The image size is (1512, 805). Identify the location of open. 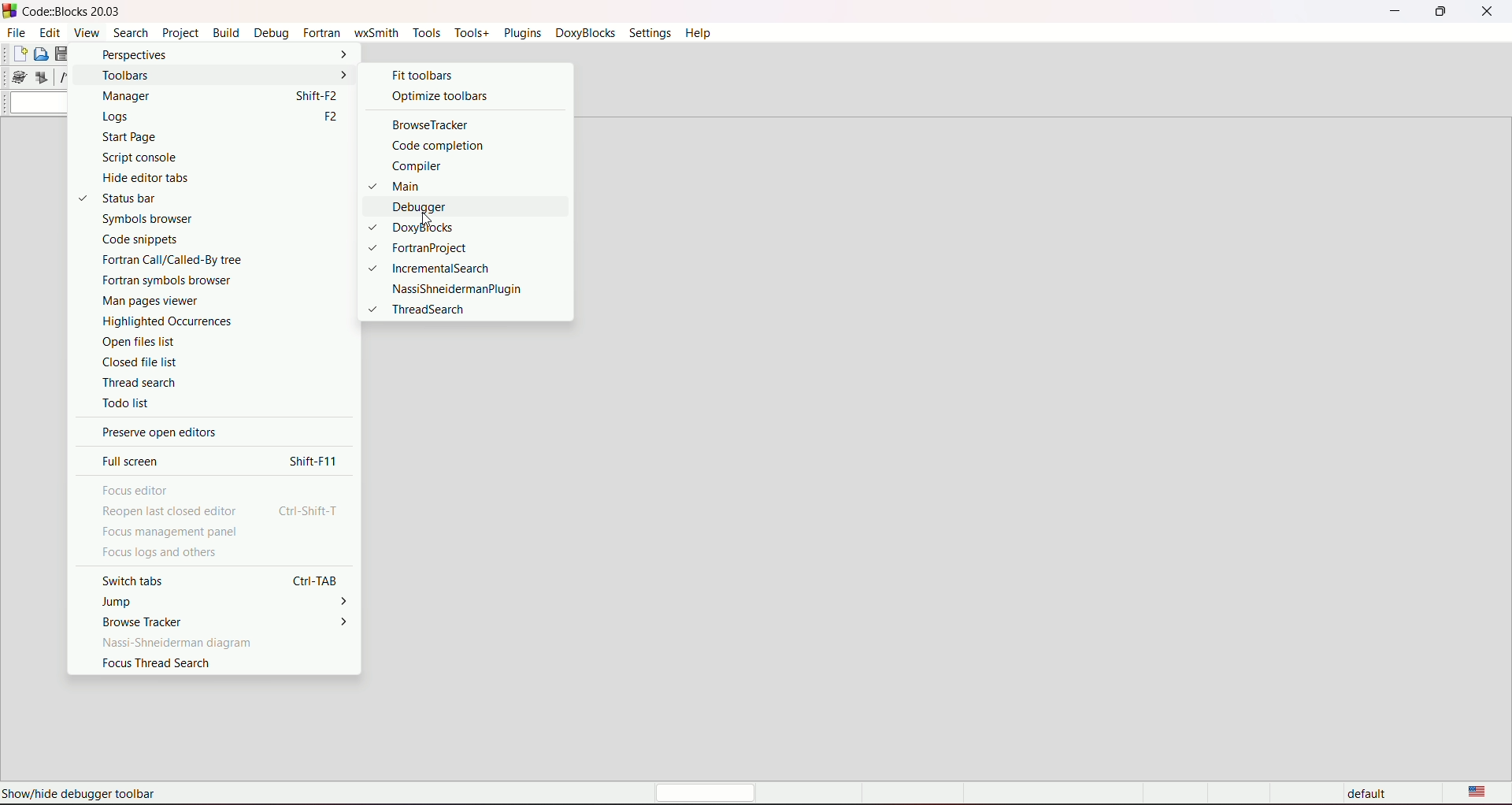
(41, 54).